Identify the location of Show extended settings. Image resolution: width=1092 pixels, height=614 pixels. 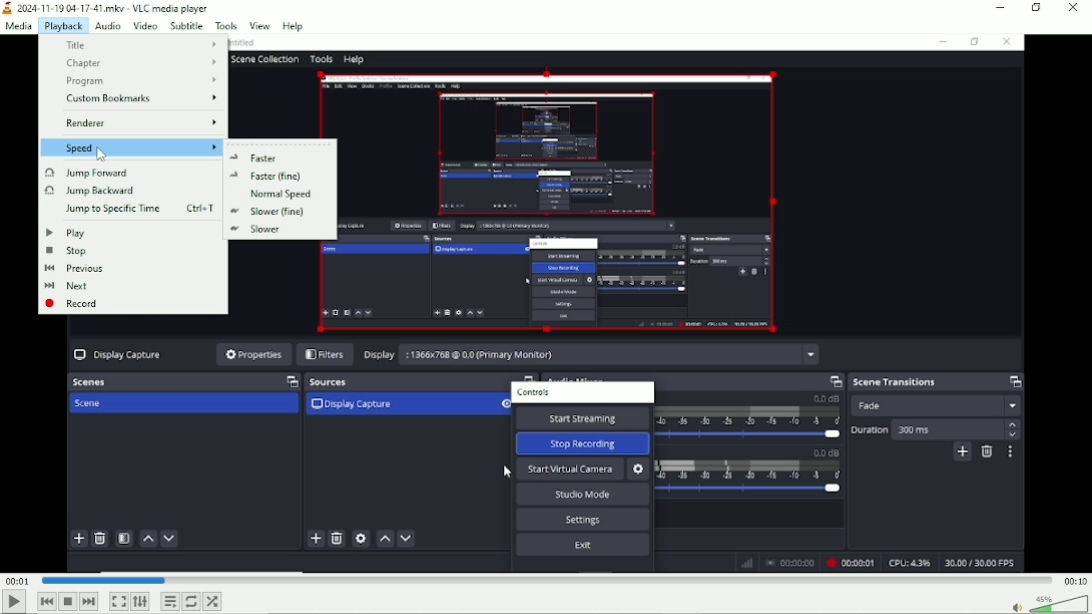
(140, 601).